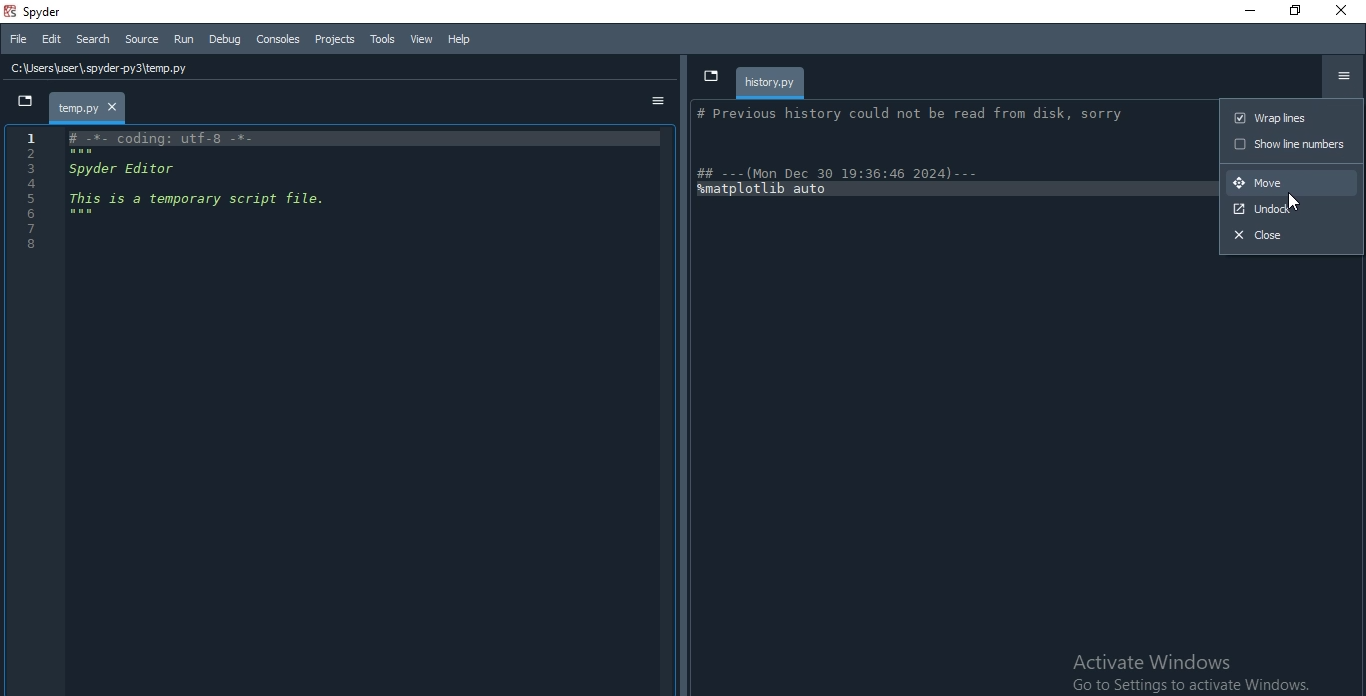 The width and height of the screenshot is (1366, 696). What do you see at coordinates (711, 75) in the screenshot?
I see `dropdown` at bounding box center [711, 75].